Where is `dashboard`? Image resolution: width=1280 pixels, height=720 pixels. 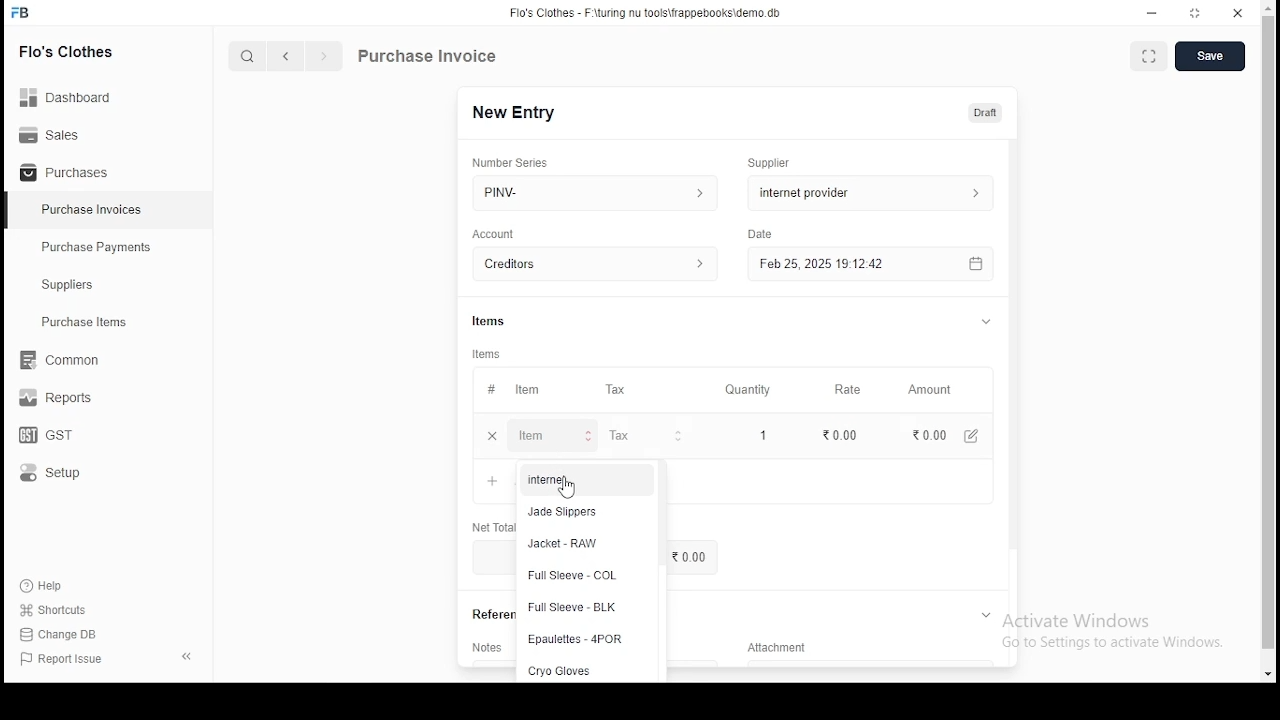
dashboard is located at coordinates (75, 91).